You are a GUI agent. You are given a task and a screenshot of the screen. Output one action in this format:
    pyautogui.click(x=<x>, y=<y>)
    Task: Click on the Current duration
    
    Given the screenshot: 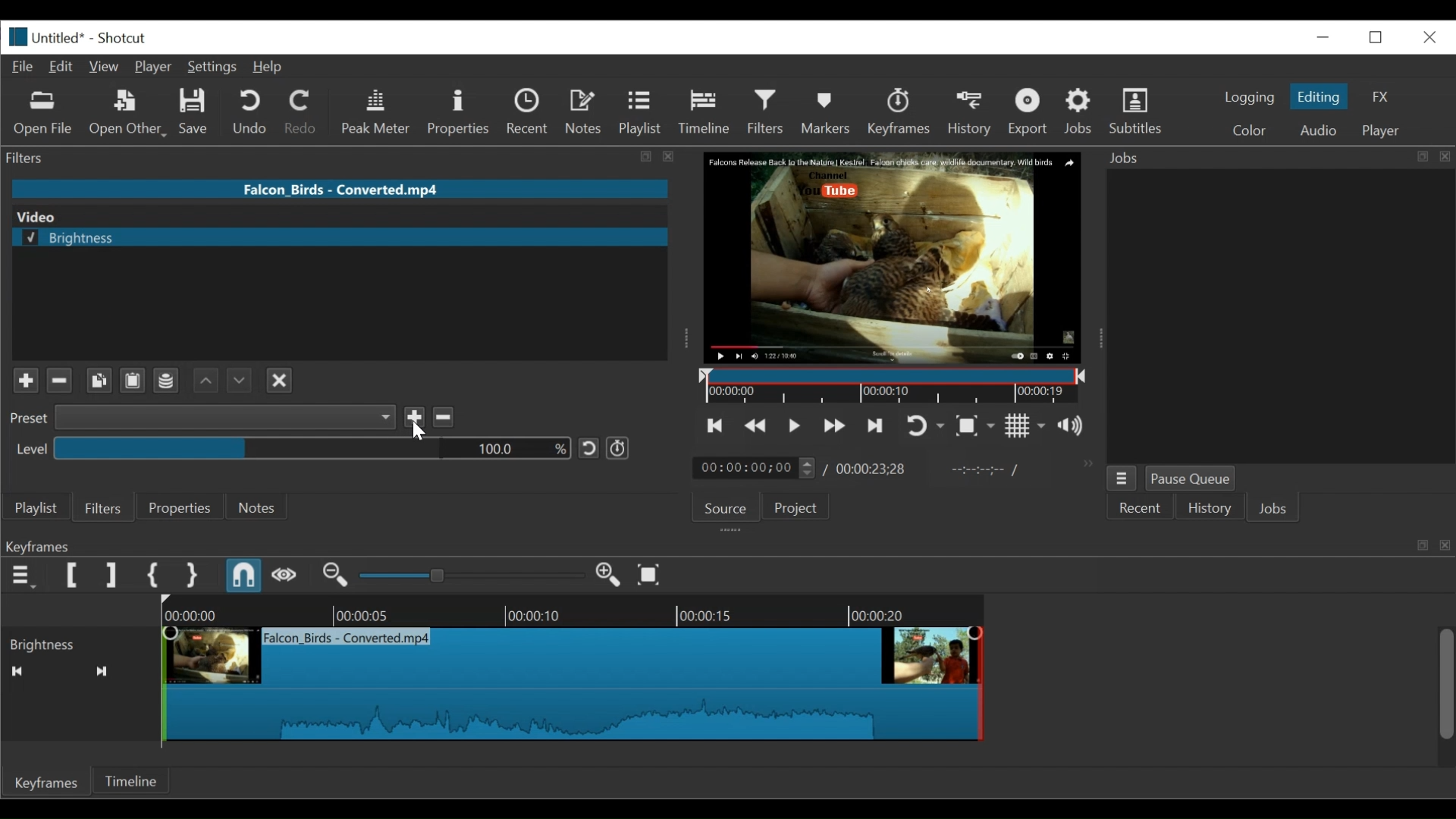 What is the action you would take?
    pyautogui.click(x=757, y=468)
    